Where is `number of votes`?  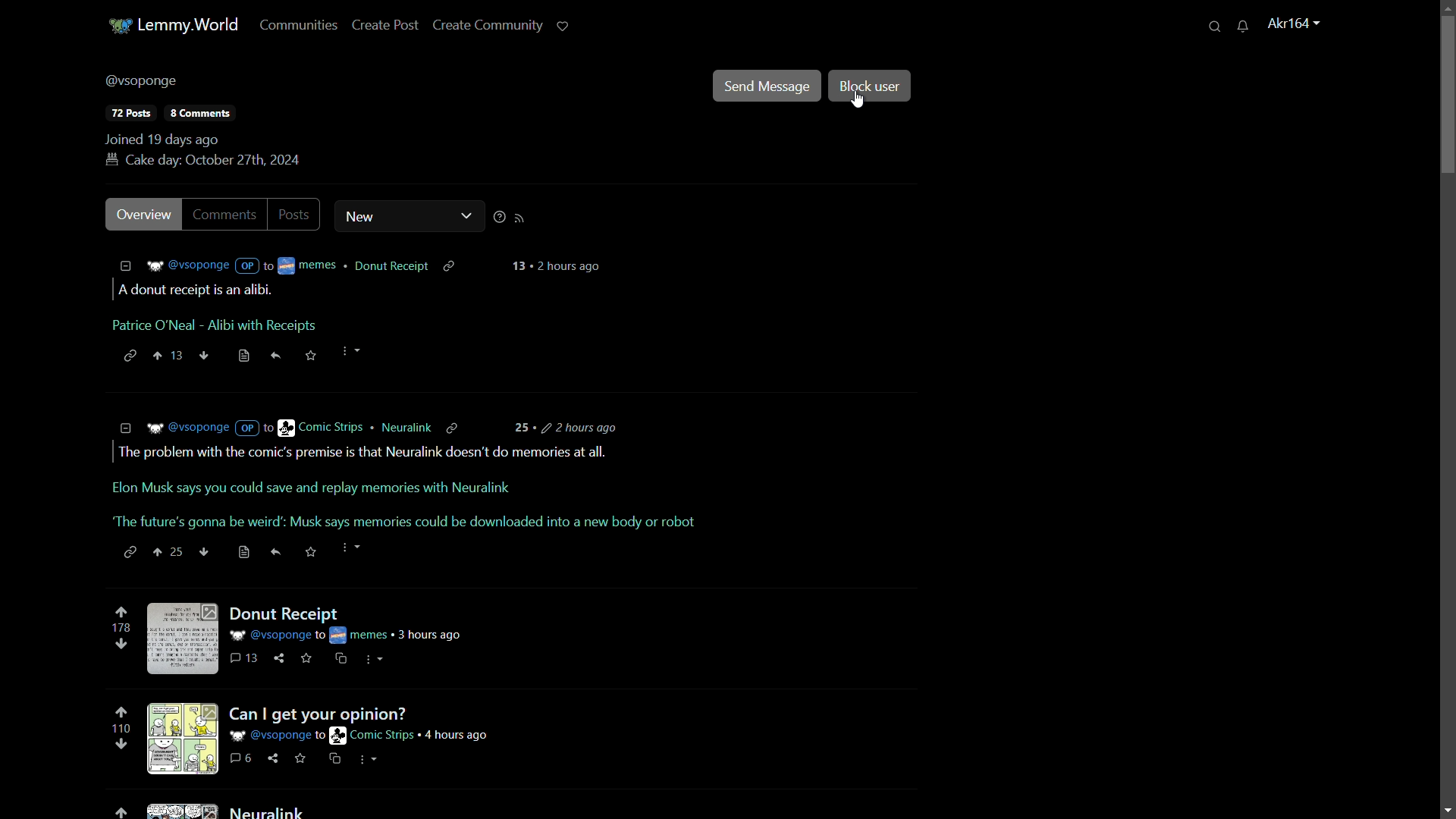 number of votes is located at coordinates (124, 627).